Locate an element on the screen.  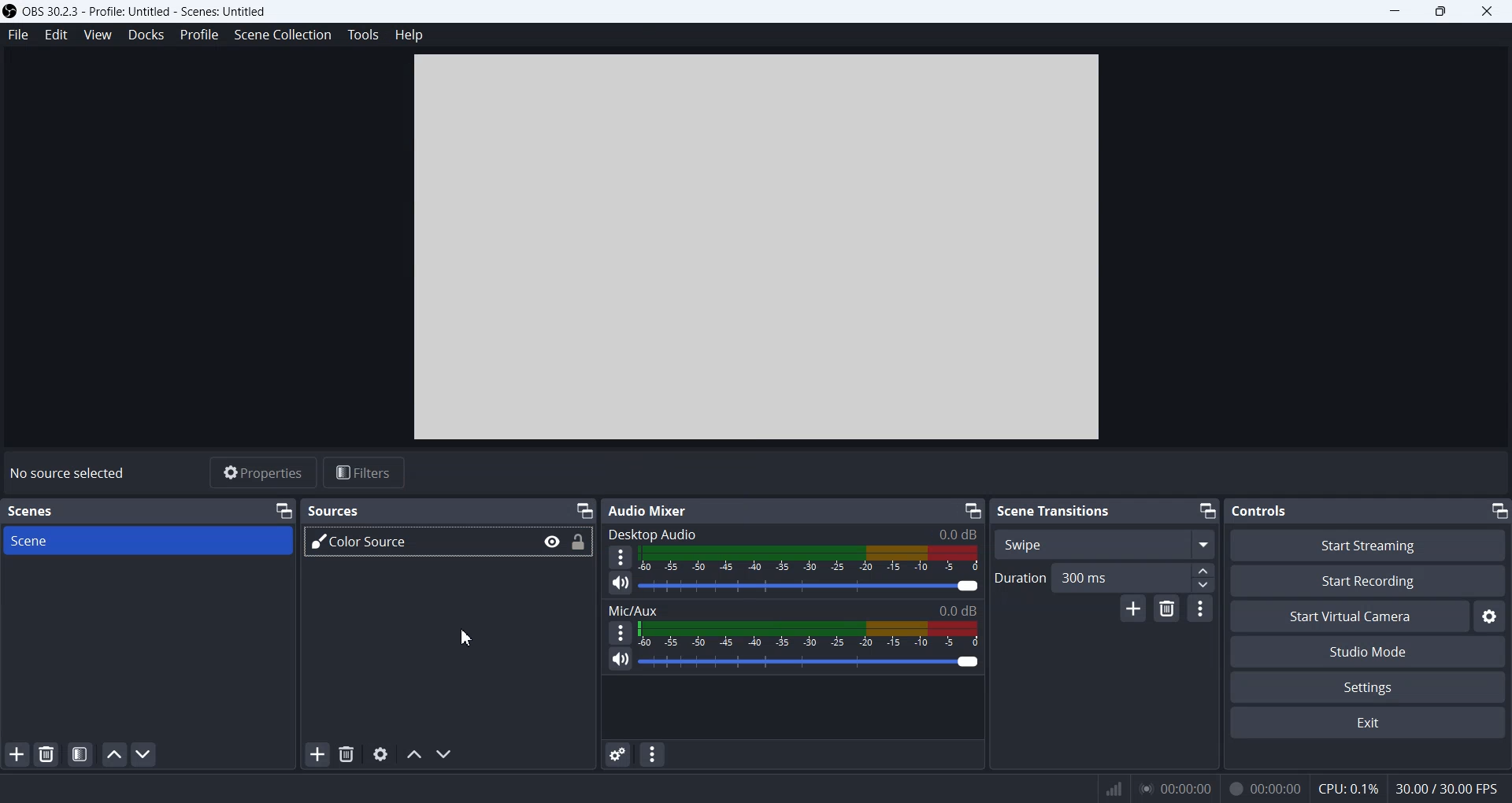
Remove Source is located at coordinates (346, 754).